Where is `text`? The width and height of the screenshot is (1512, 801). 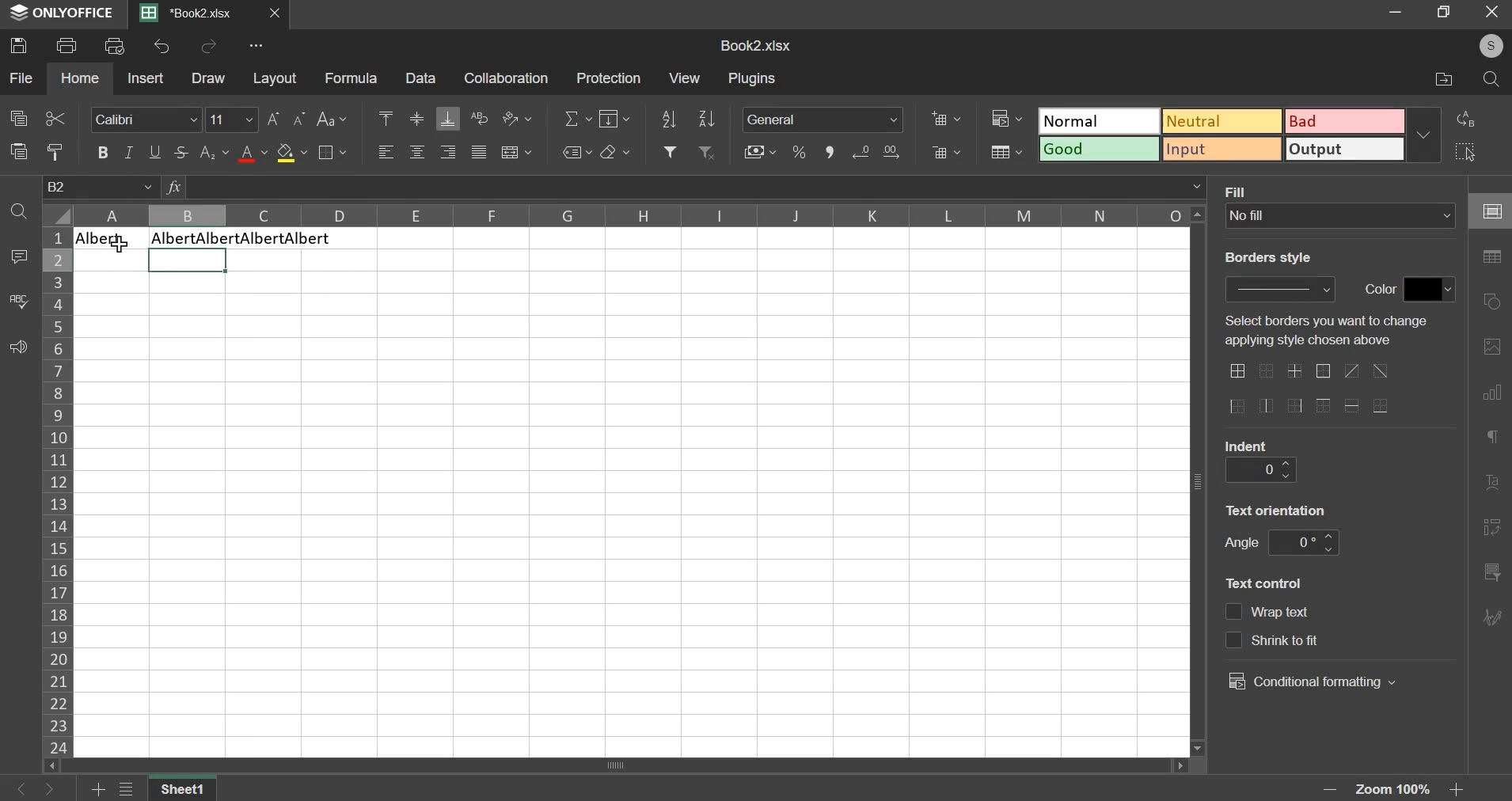
text is located at coordinates (1282, 512).